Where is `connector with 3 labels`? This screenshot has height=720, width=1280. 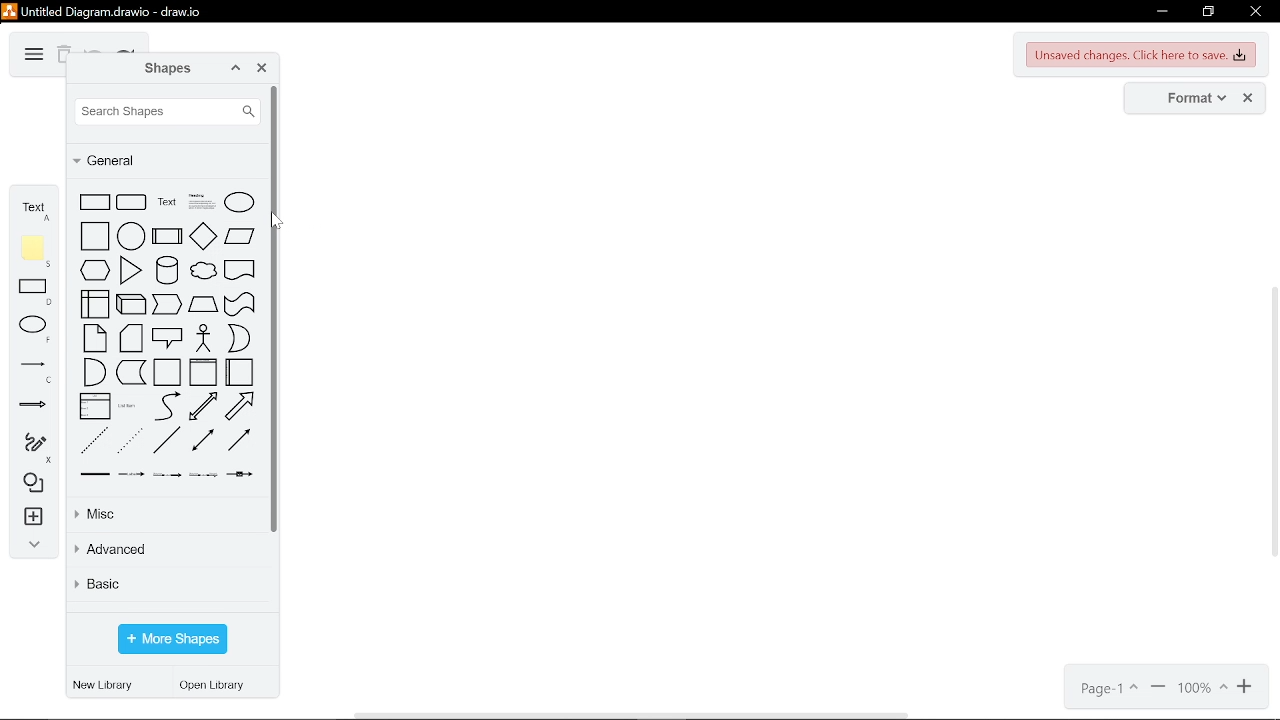 connector with 3 labels is located at coordinates (204, 475).